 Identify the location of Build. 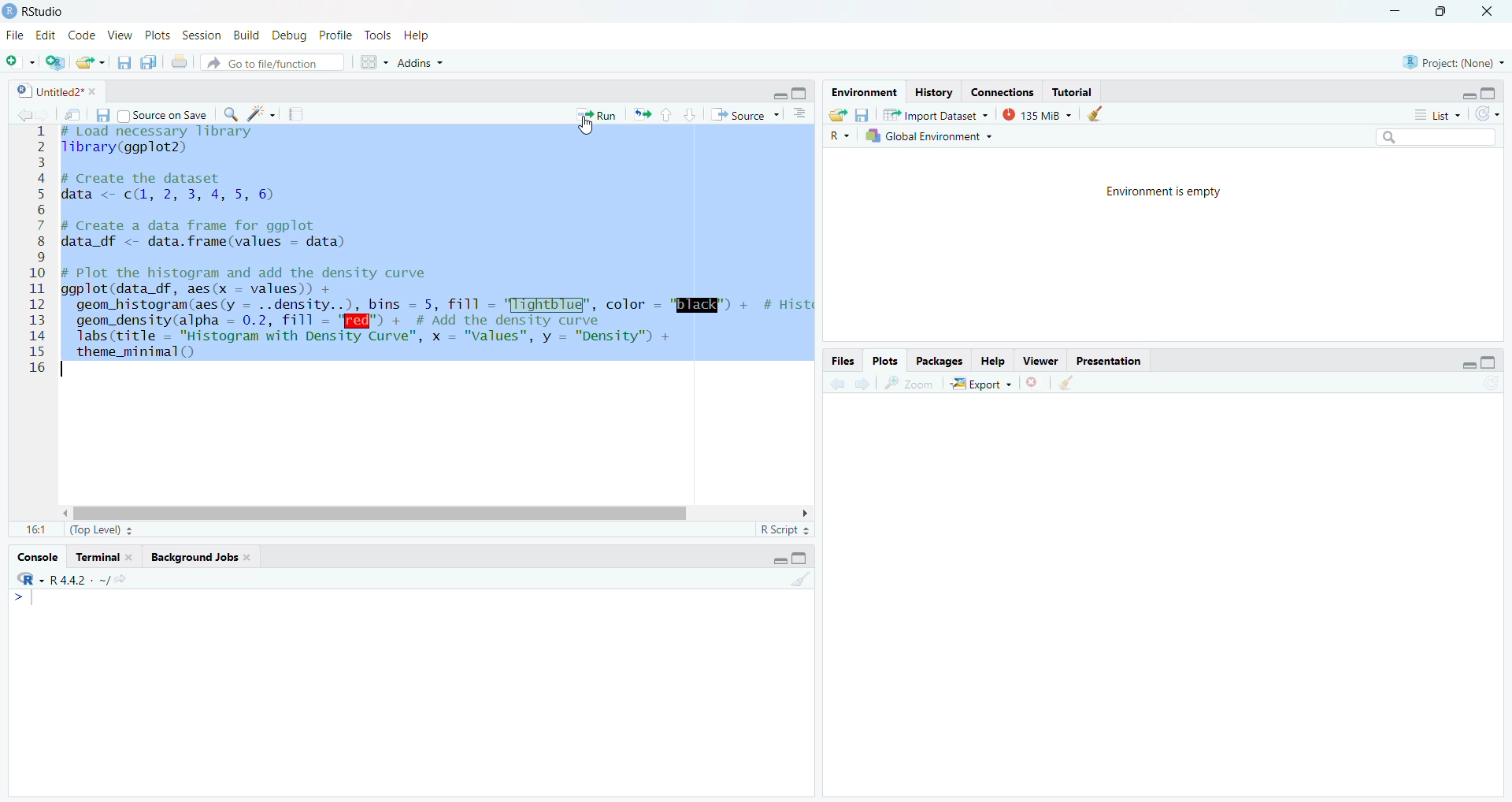
(245, 34).